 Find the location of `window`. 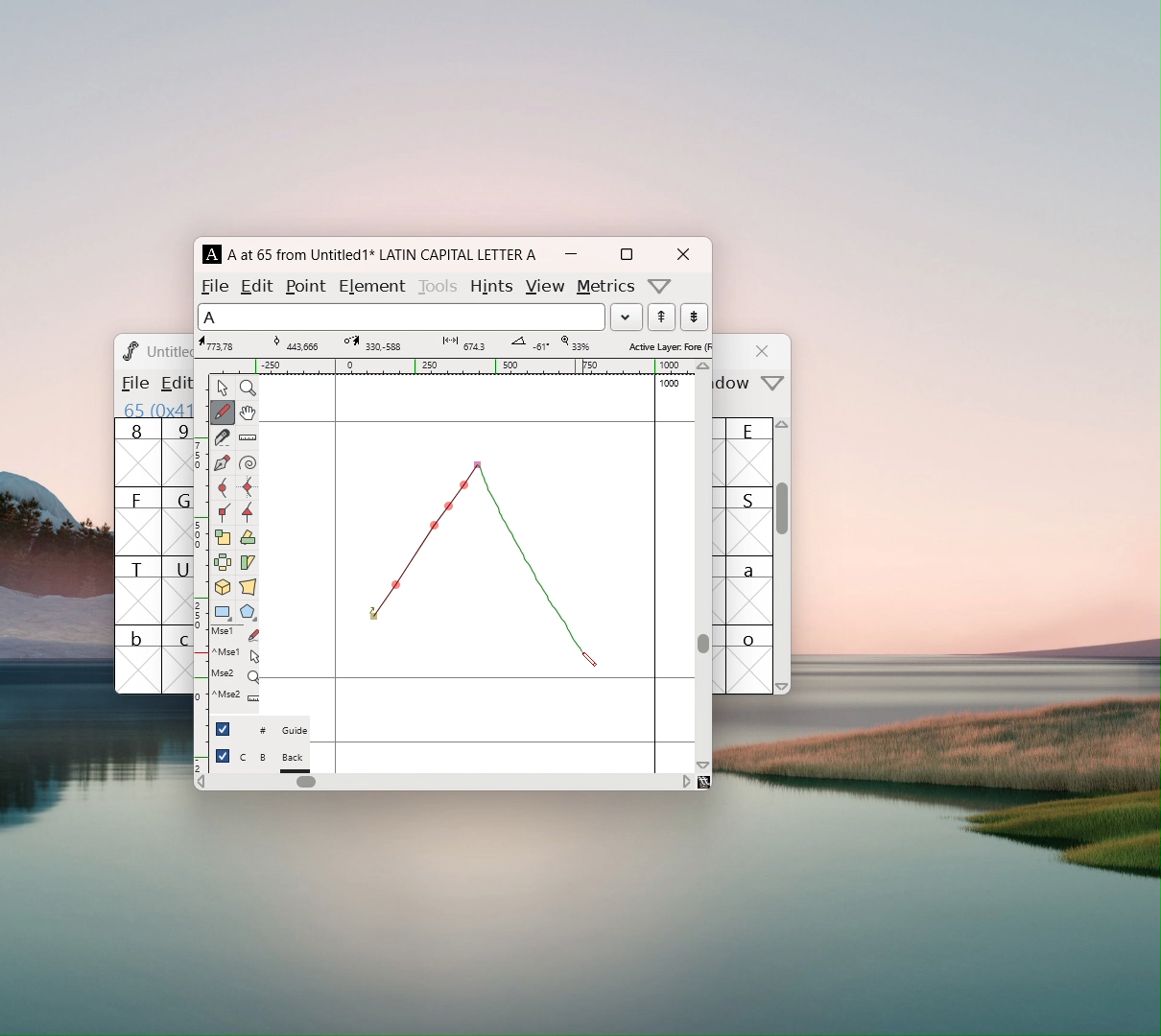

window is located at coordinates (735, 384).